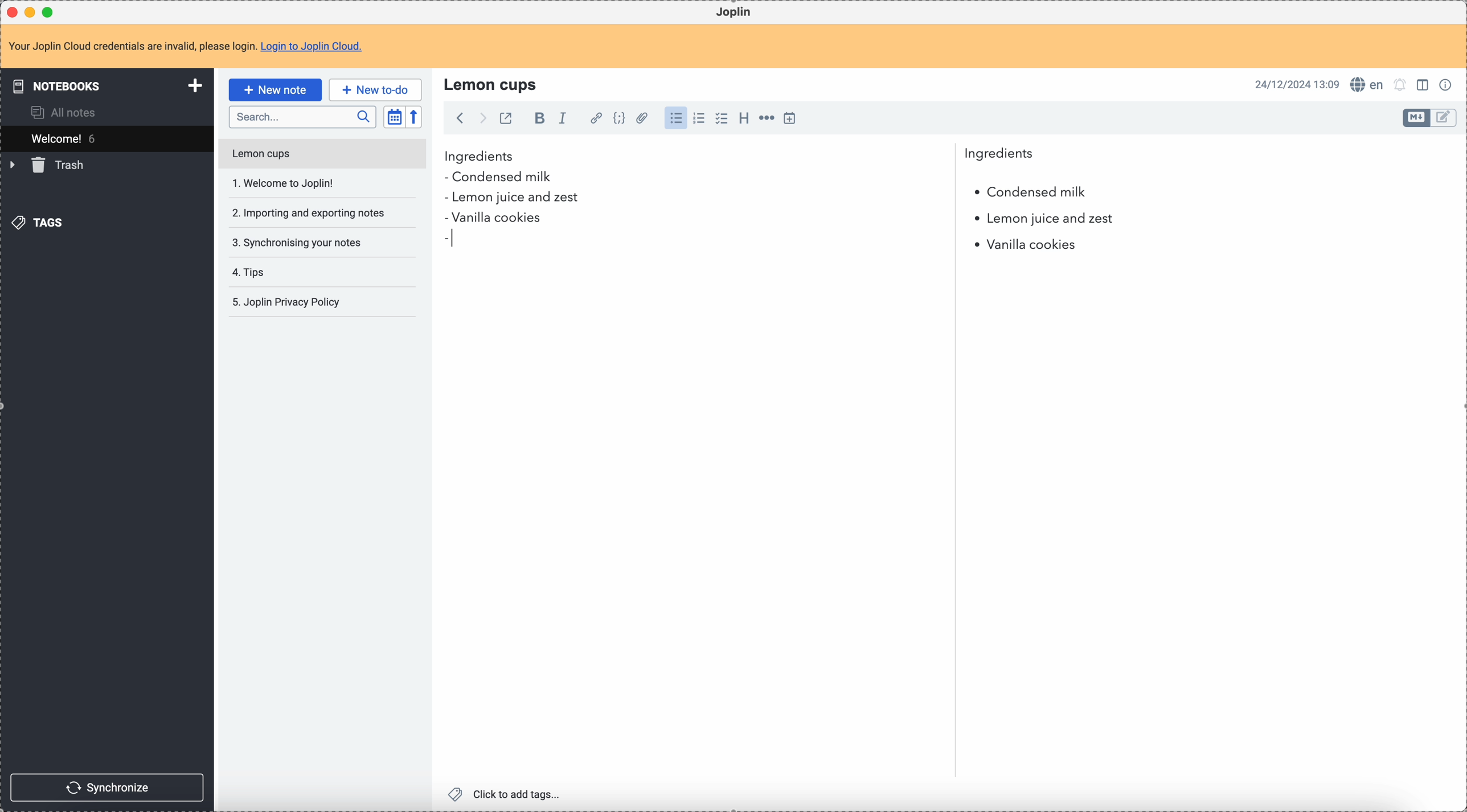 This screenshot has height=812, width=1467. I want to click on foward, so click(481, 118).